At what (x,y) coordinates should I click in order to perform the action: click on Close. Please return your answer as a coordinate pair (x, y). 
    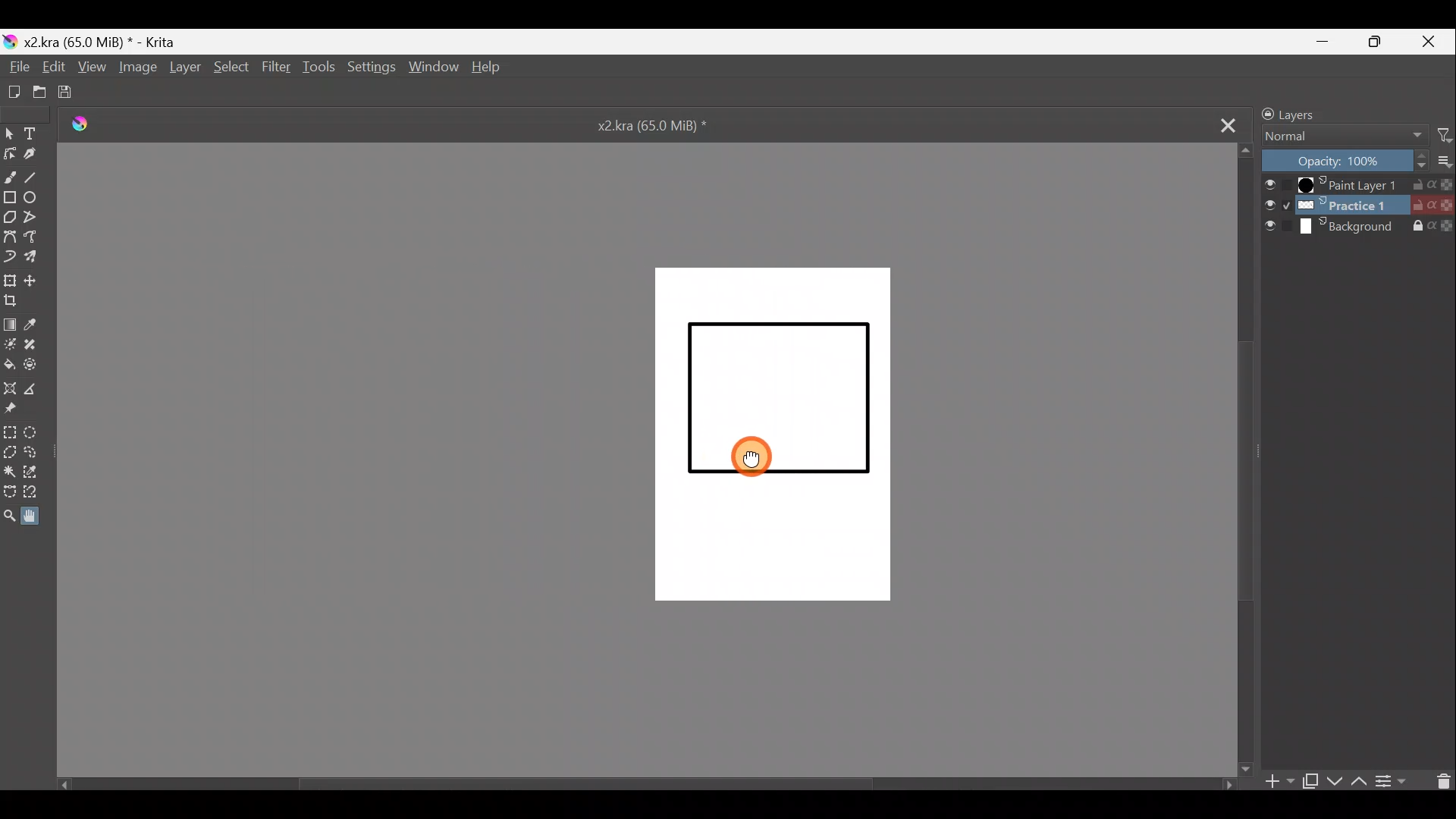
    Looking at the image, I should click on (1429, 42).